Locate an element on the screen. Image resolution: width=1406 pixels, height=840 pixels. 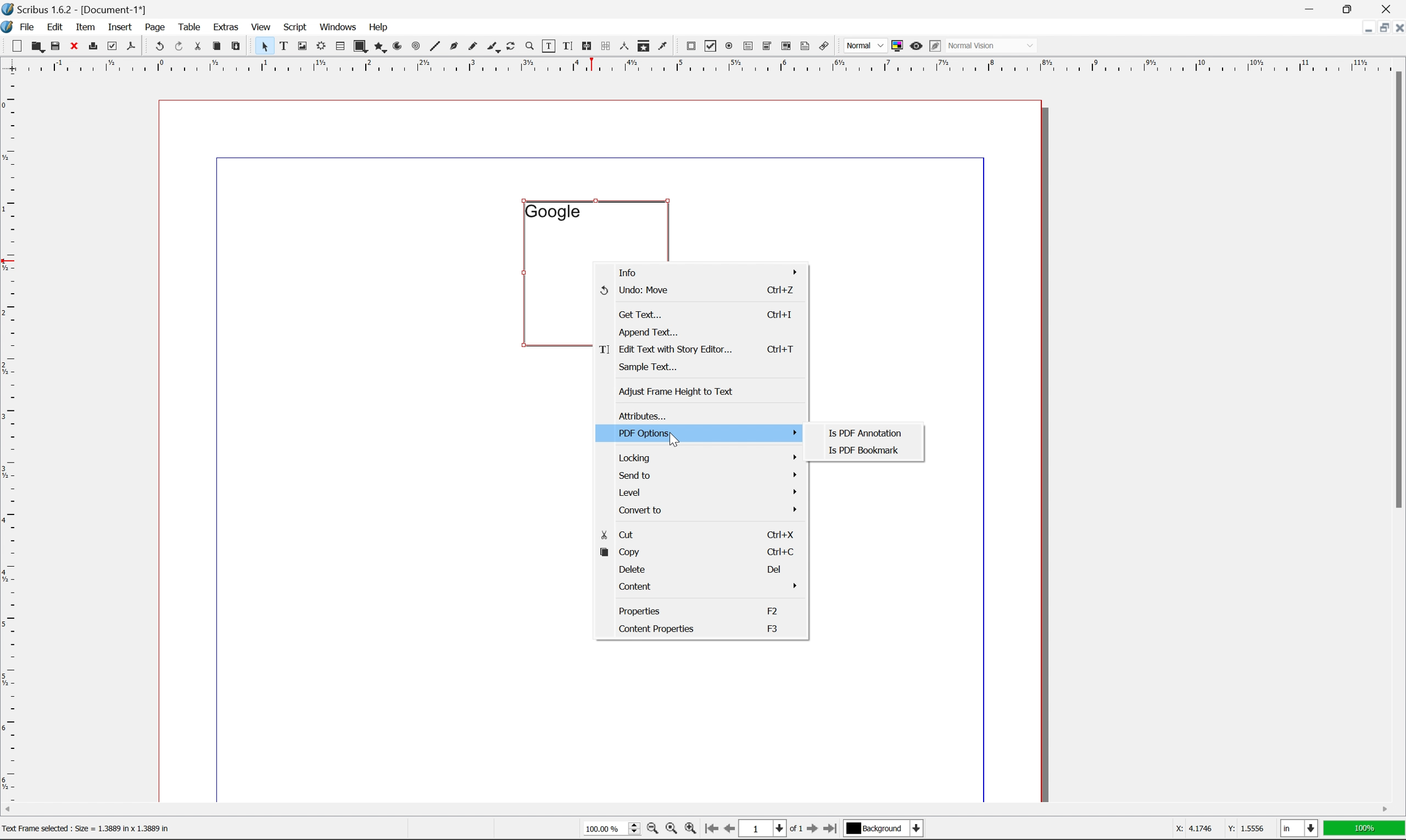
item is located at coordinates (88, 25).